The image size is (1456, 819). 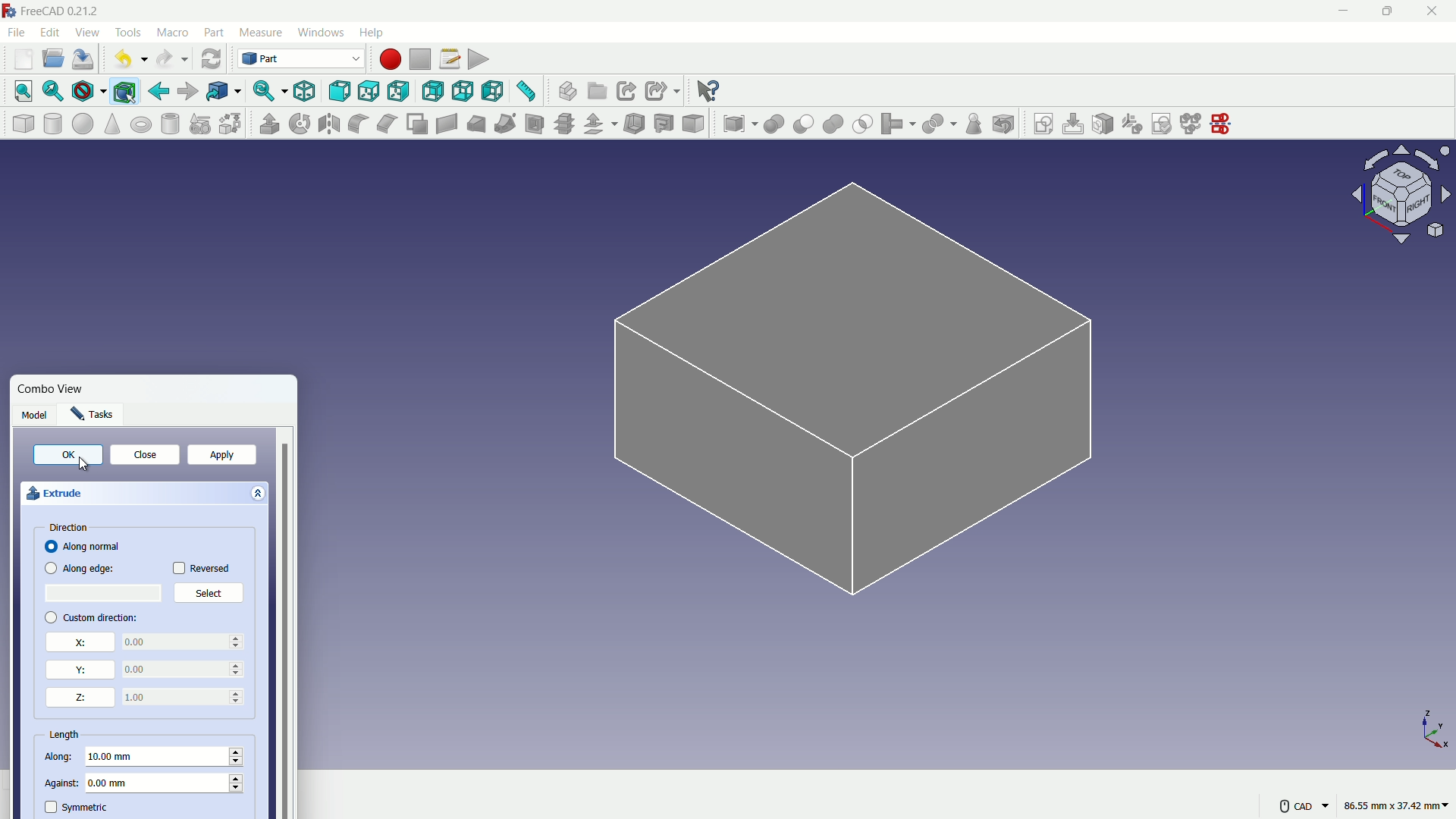 I want to click on rotate, so click(x=301, y=123).